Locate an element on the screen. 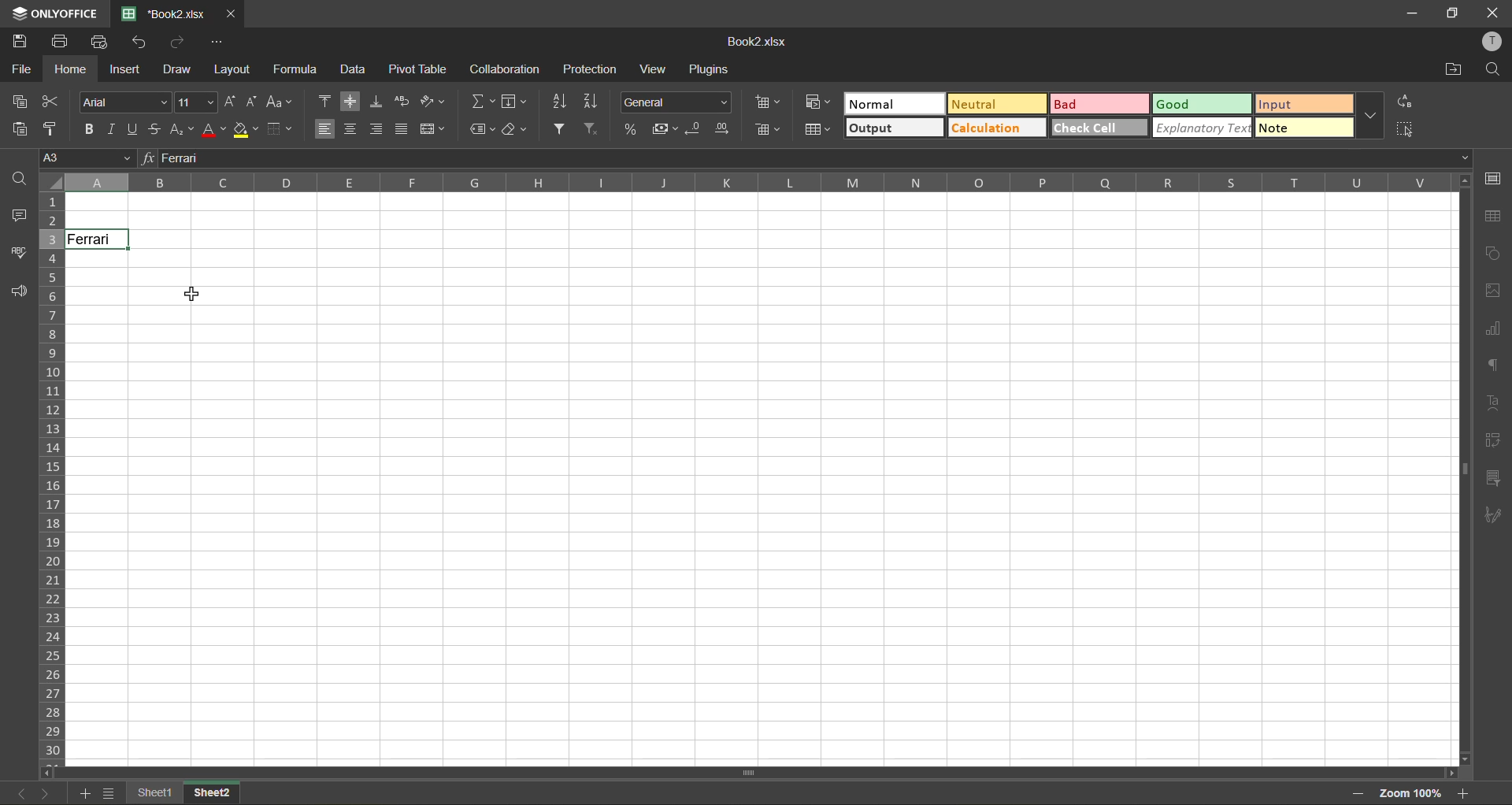  align middle is located at coordinates (351, 101).